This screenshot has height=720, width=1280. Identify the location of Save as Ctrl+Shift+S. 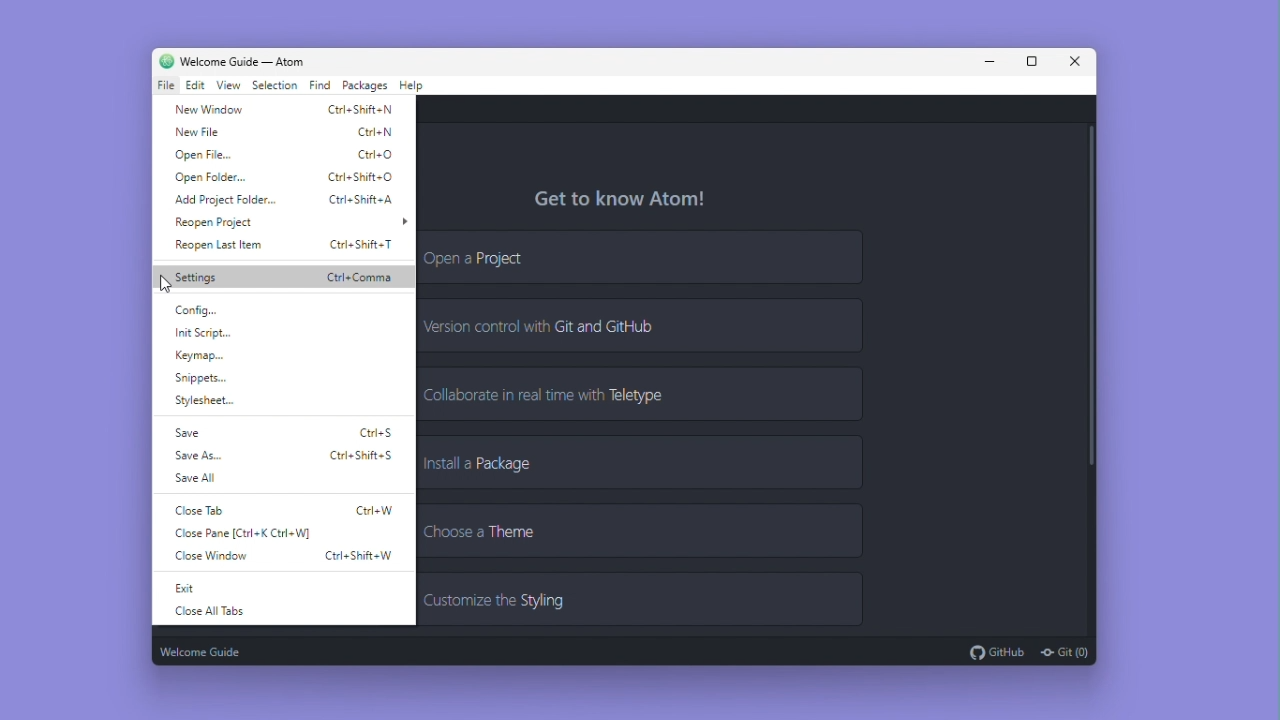
(284, 457).